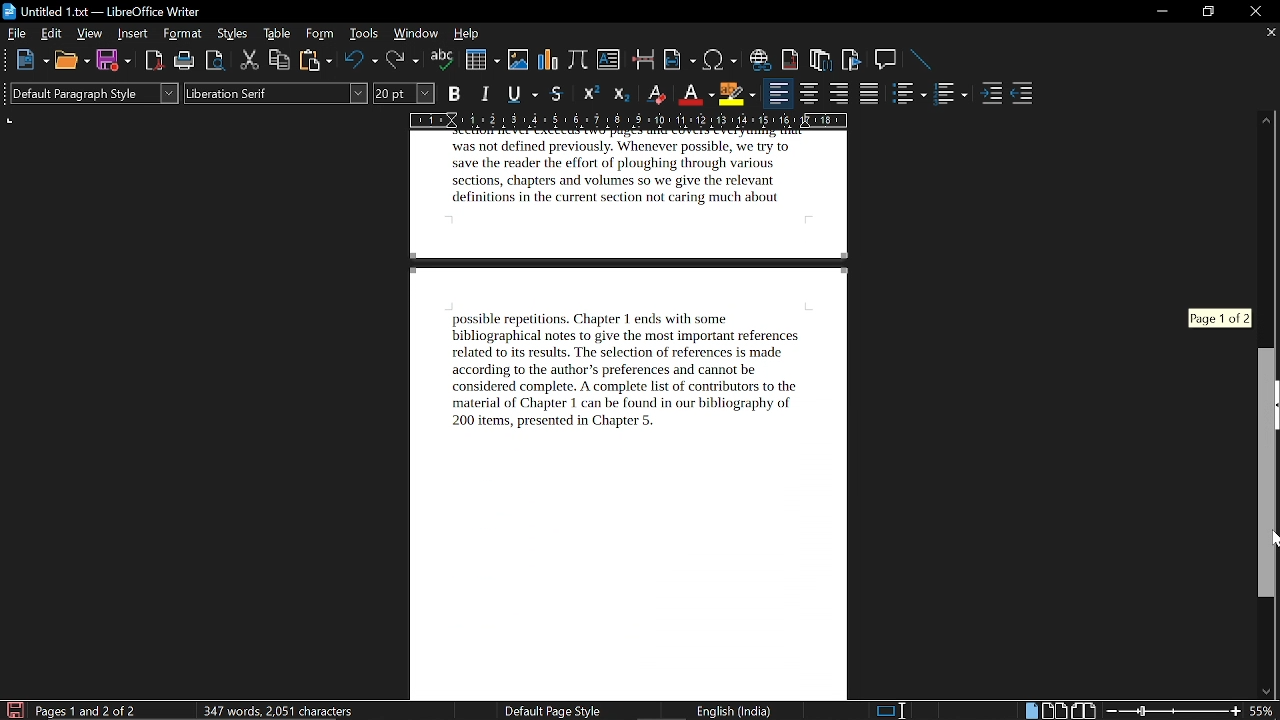  What do you see at coordinates (762, 61) in the screenshot?
I see `insert hyperlink` at bounding box center [762, 61].